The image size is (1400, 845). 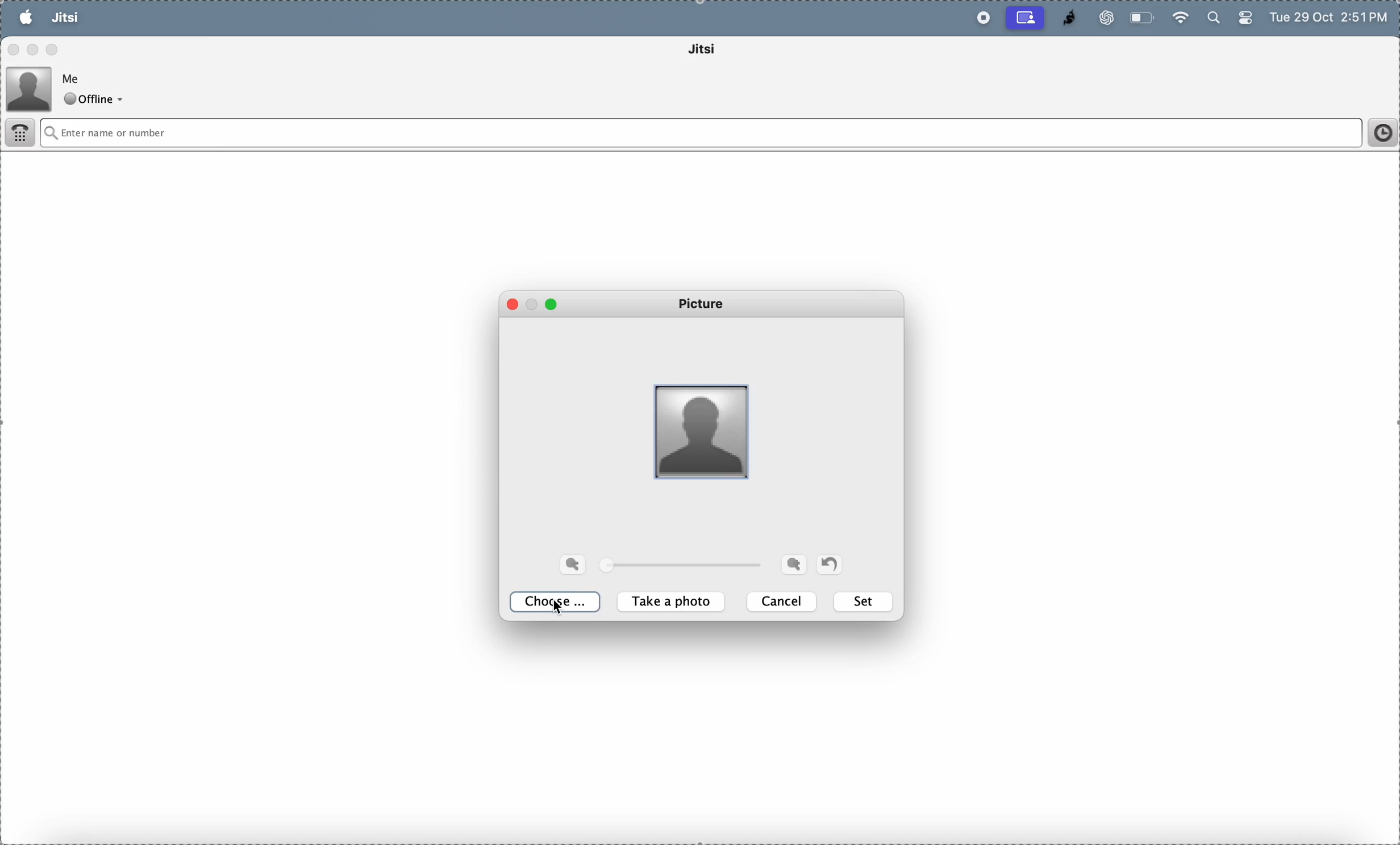 What do you see at coordinates (108, 18) in the screenshot?
I see `file` at bounding box center [108, 18].